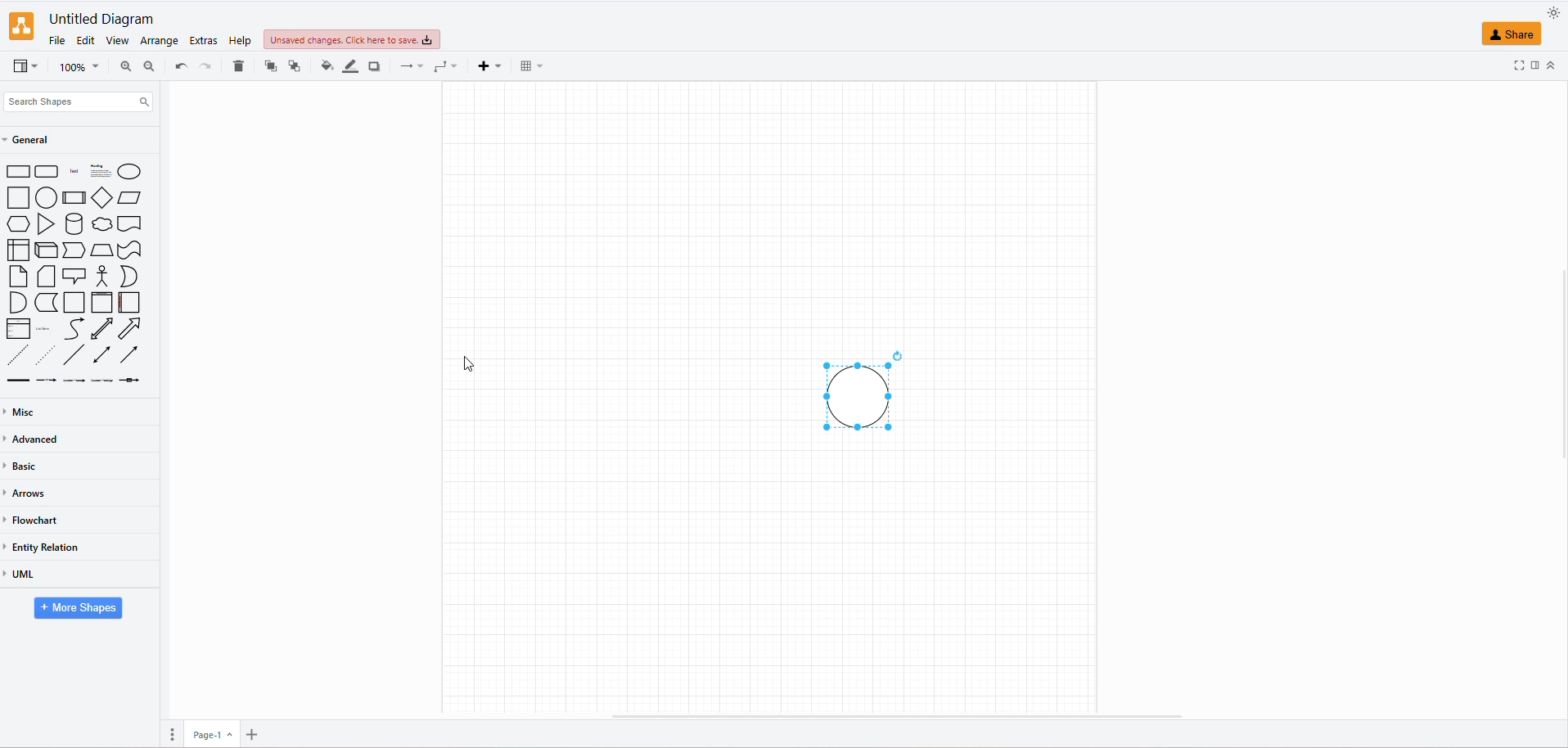 This screenshot has width=1568, height=748. Describe the element at coordinates (376, 66) in the screenshot. I see `SHADOW` at that location.